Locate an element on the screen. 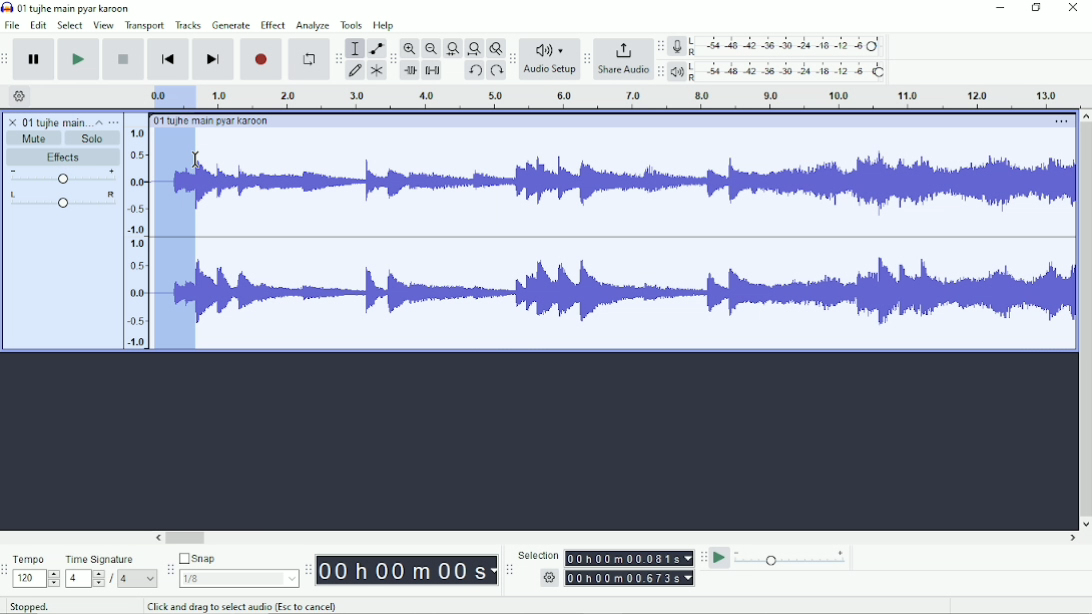 The image size is (1092, 614). 4 is located at coordinates (137, 578).